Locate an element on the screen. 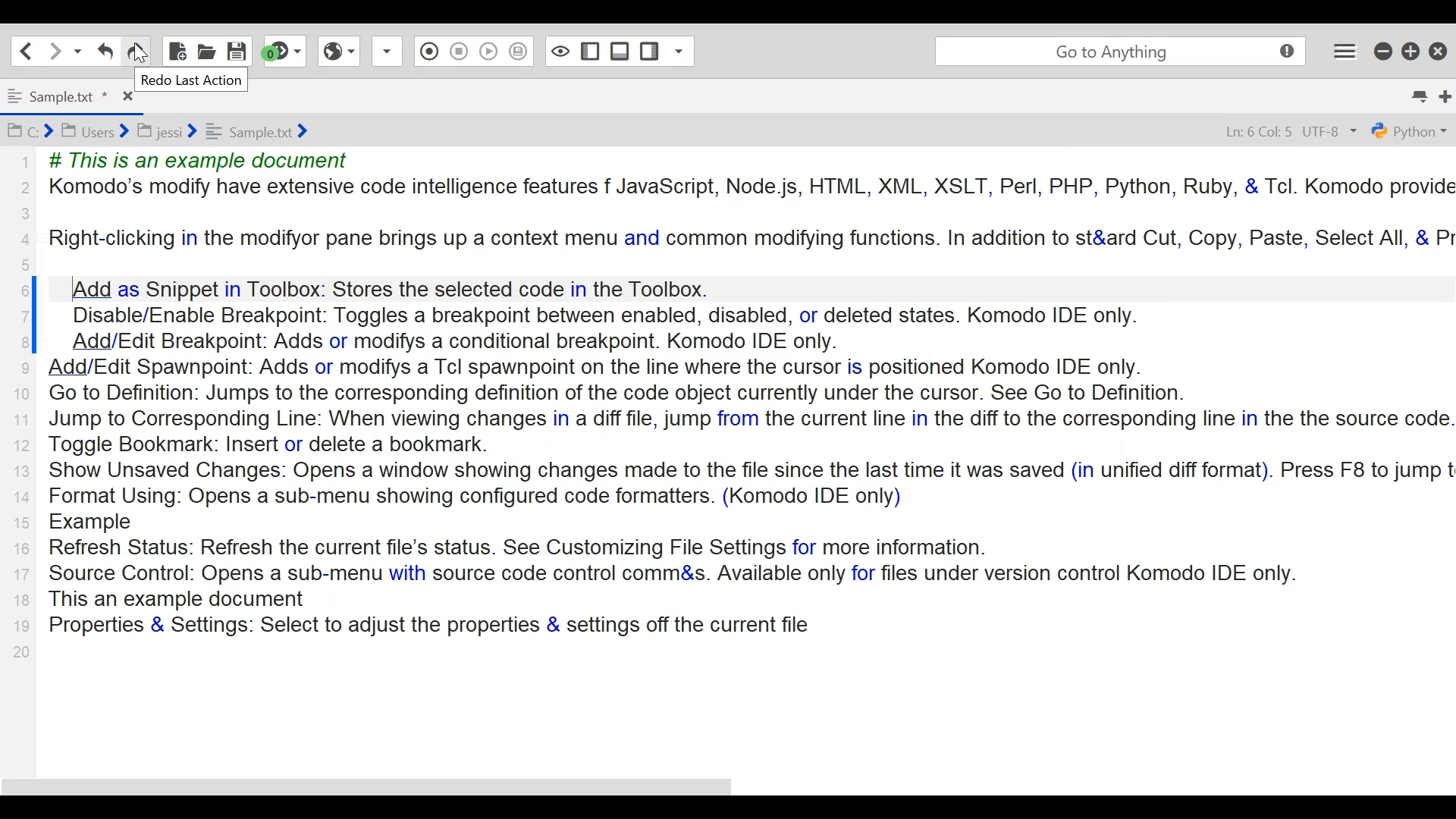 Image resolution: width=1456 pixels, height=819 pixels. Show/Hide Left Pane is located at coordinates (591, 50).